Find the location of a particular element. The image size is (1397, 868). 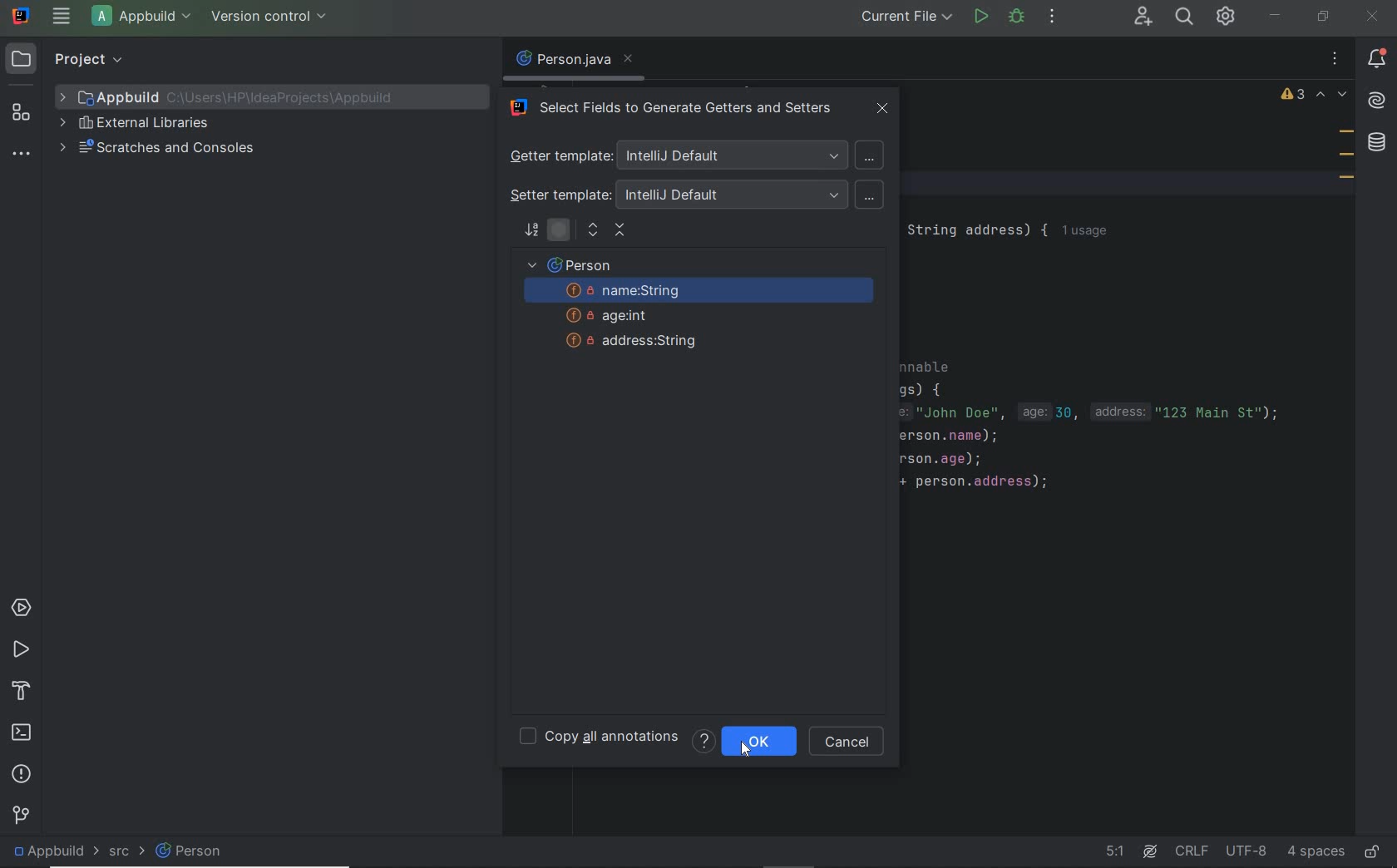

expand or collapse all is located at coordinates (607, 232).